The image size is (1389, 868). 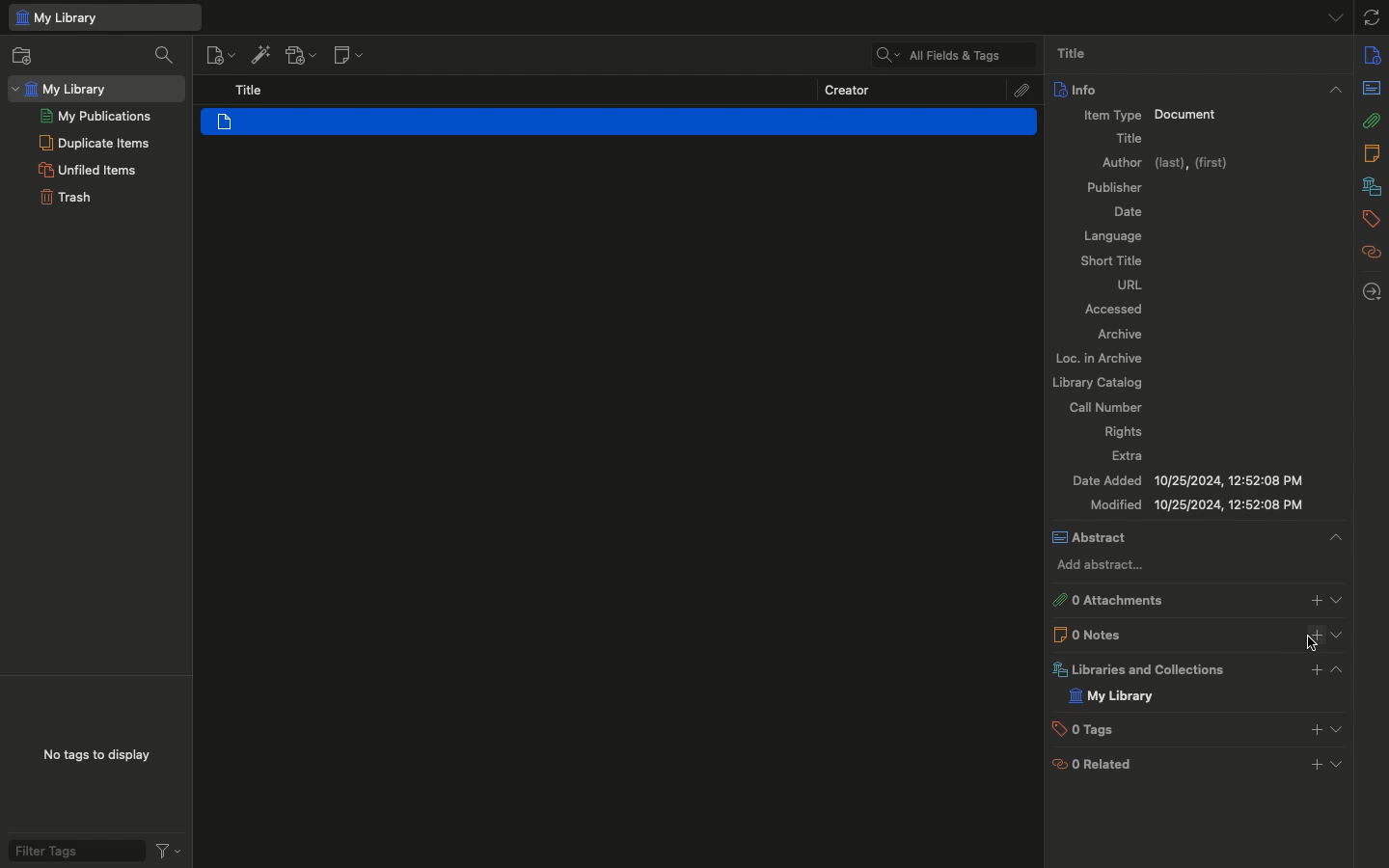 I want to click on Info, so click(x=1076, y=89).